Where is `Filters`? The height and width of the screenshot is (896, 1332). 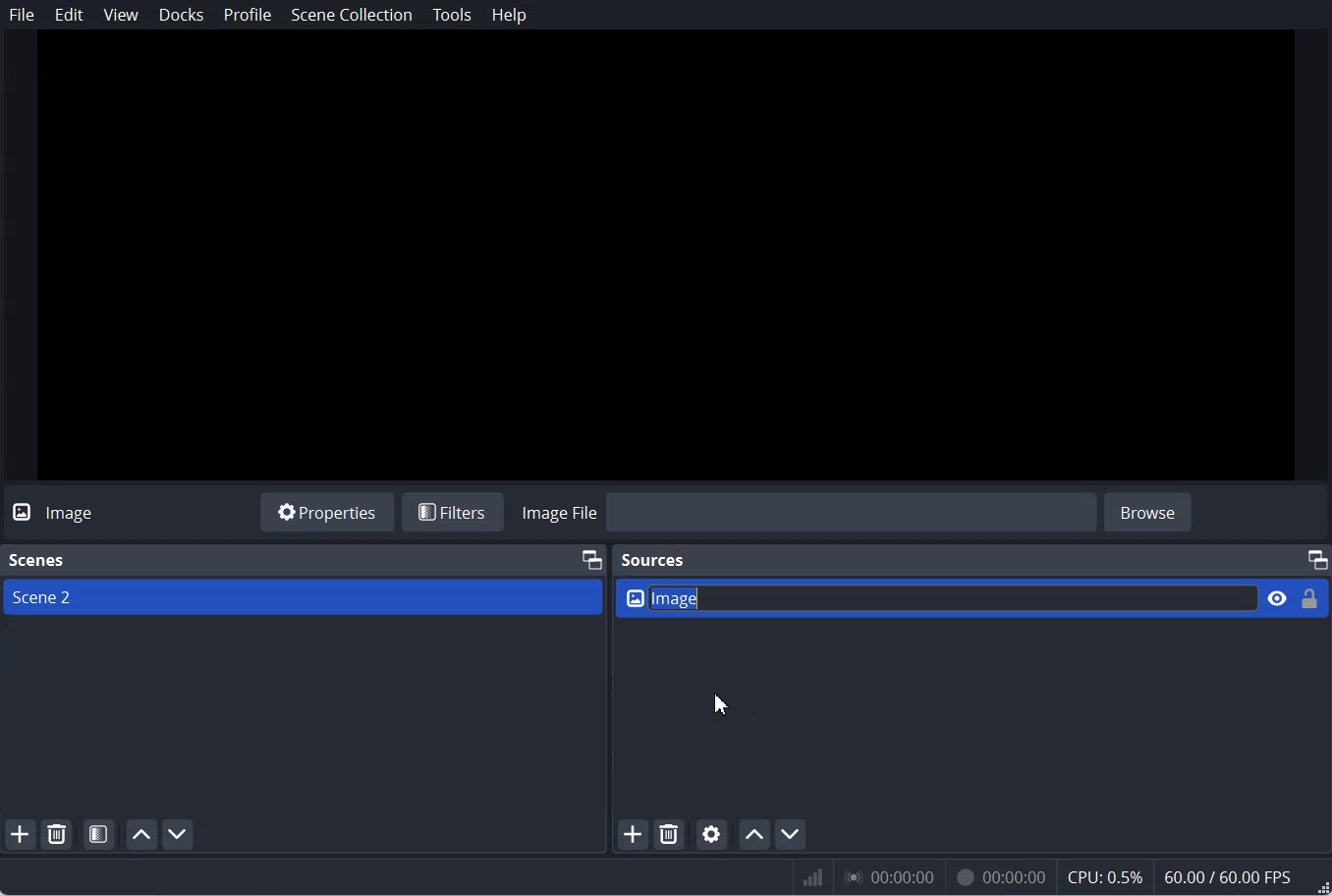
Filters is located at coordinates (452, 511).